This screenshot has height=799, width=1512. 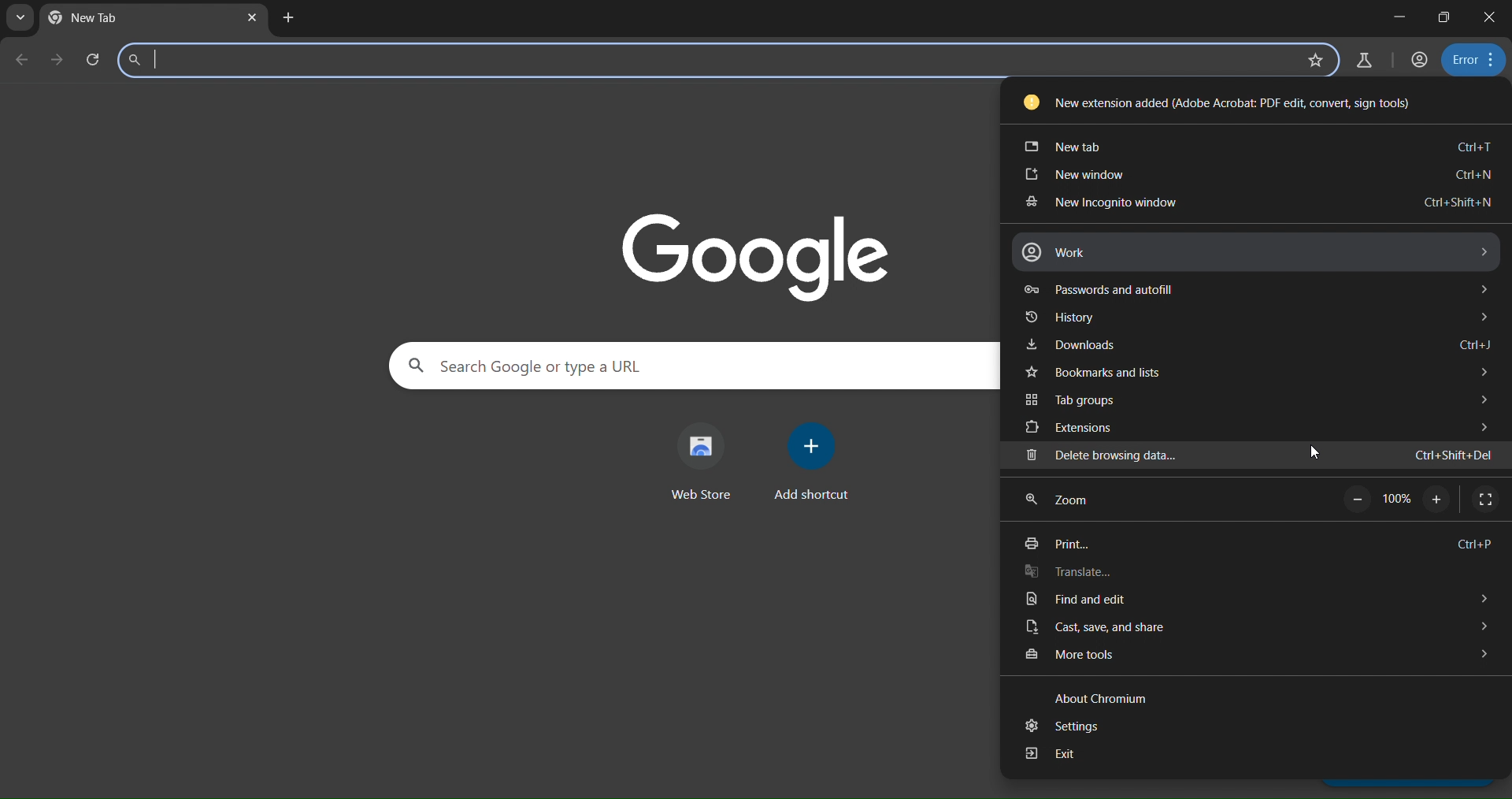 What do you see at coordinates (707, 59) in the screenshot?
I see `Search Google or type a URL` at bounding box center [707, 59].